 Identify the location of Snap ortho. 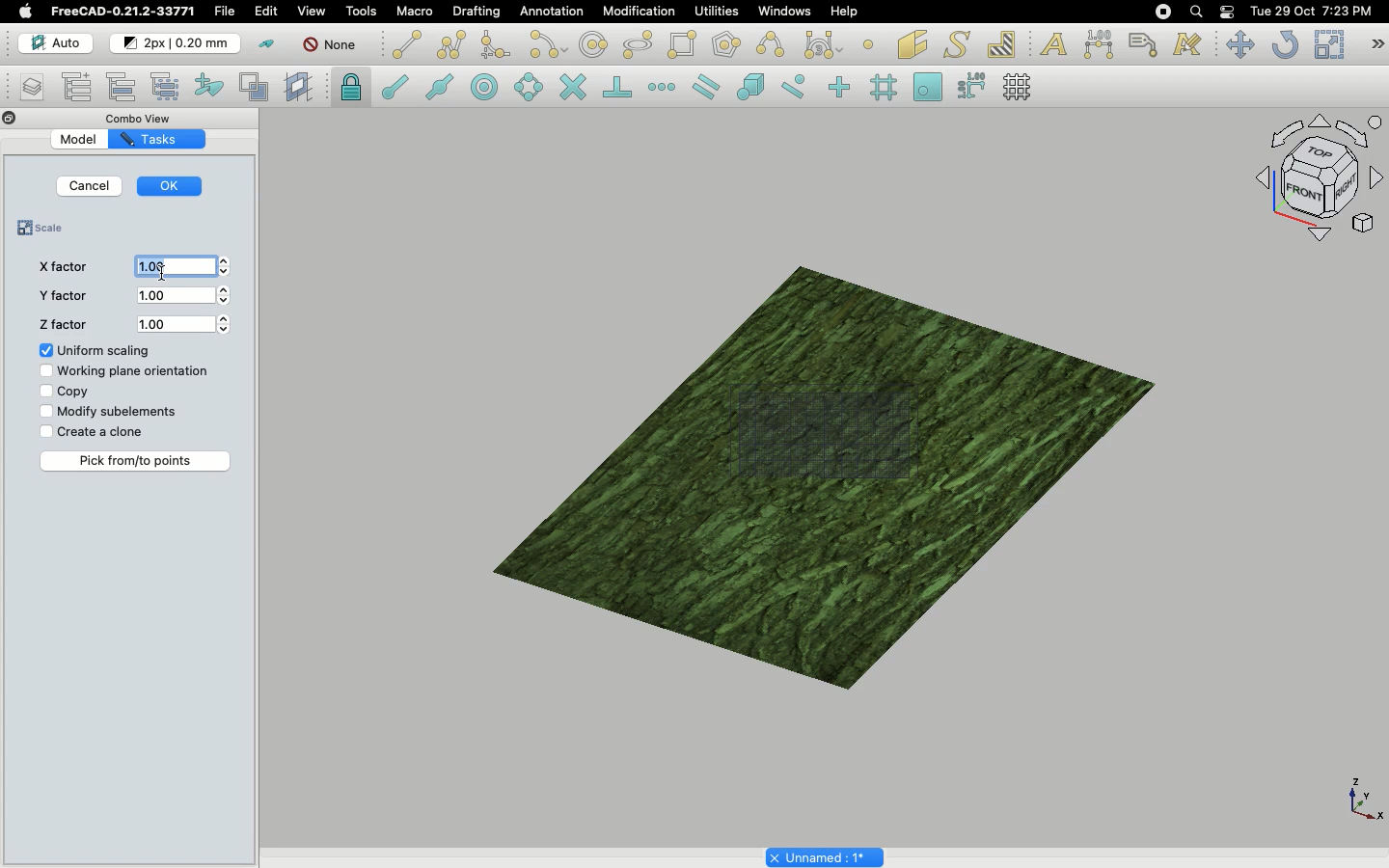
(833, 87).